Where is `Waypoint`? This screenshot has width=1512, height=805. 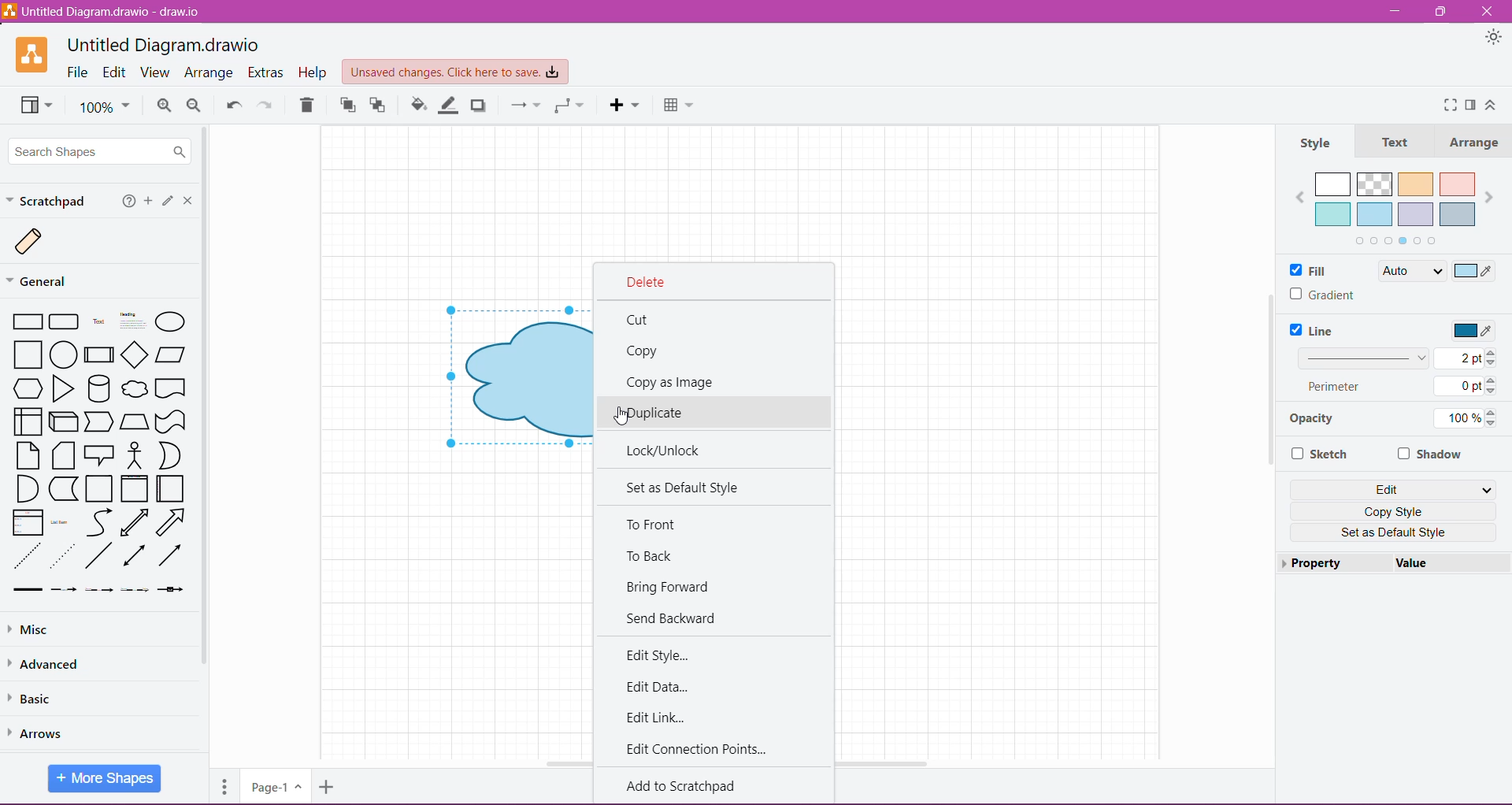
Waypoint is located at coordinates (569, 106).